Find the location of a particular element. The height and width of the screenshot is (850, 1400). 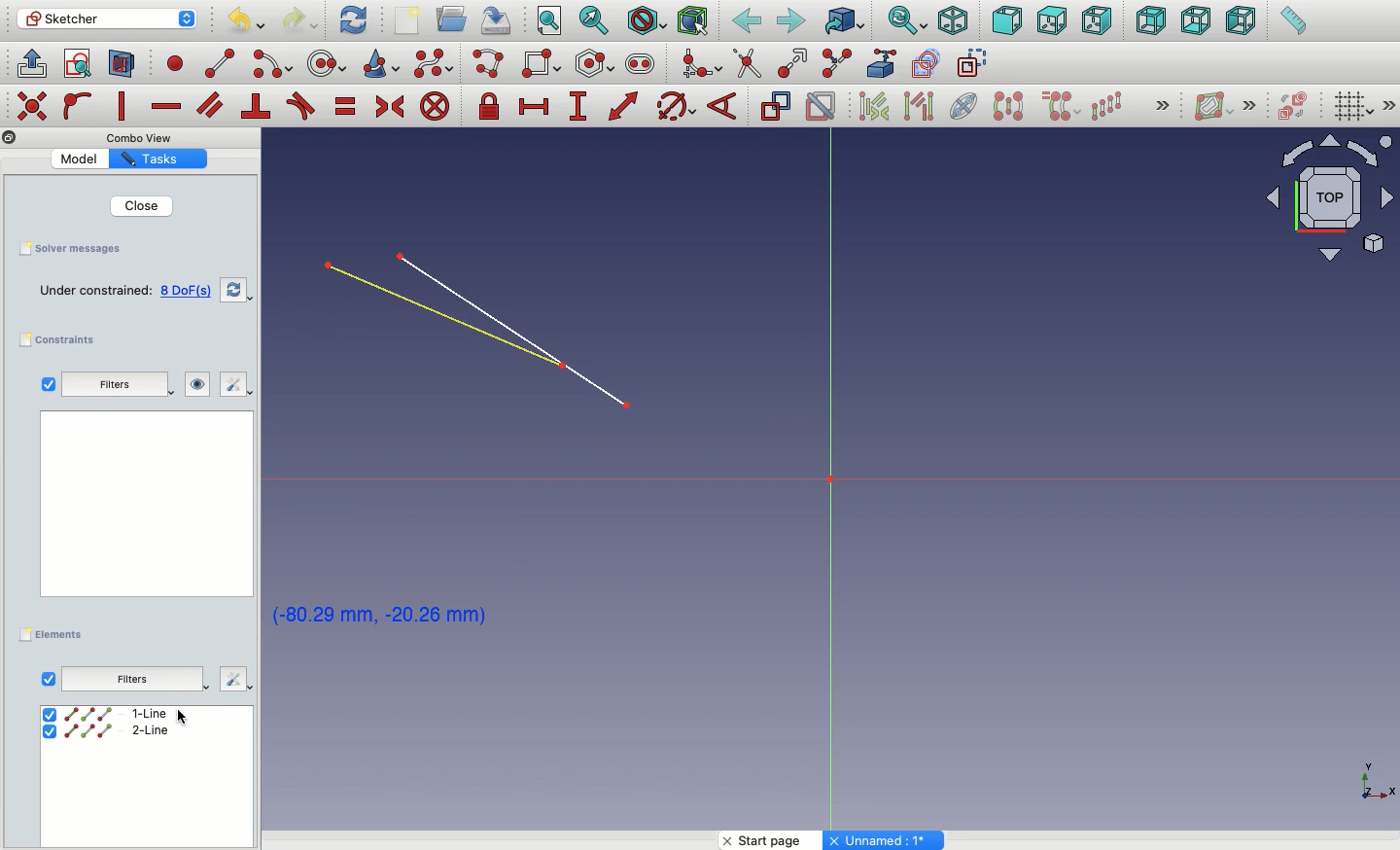

Constrain block is located at coordinates (435, 108).